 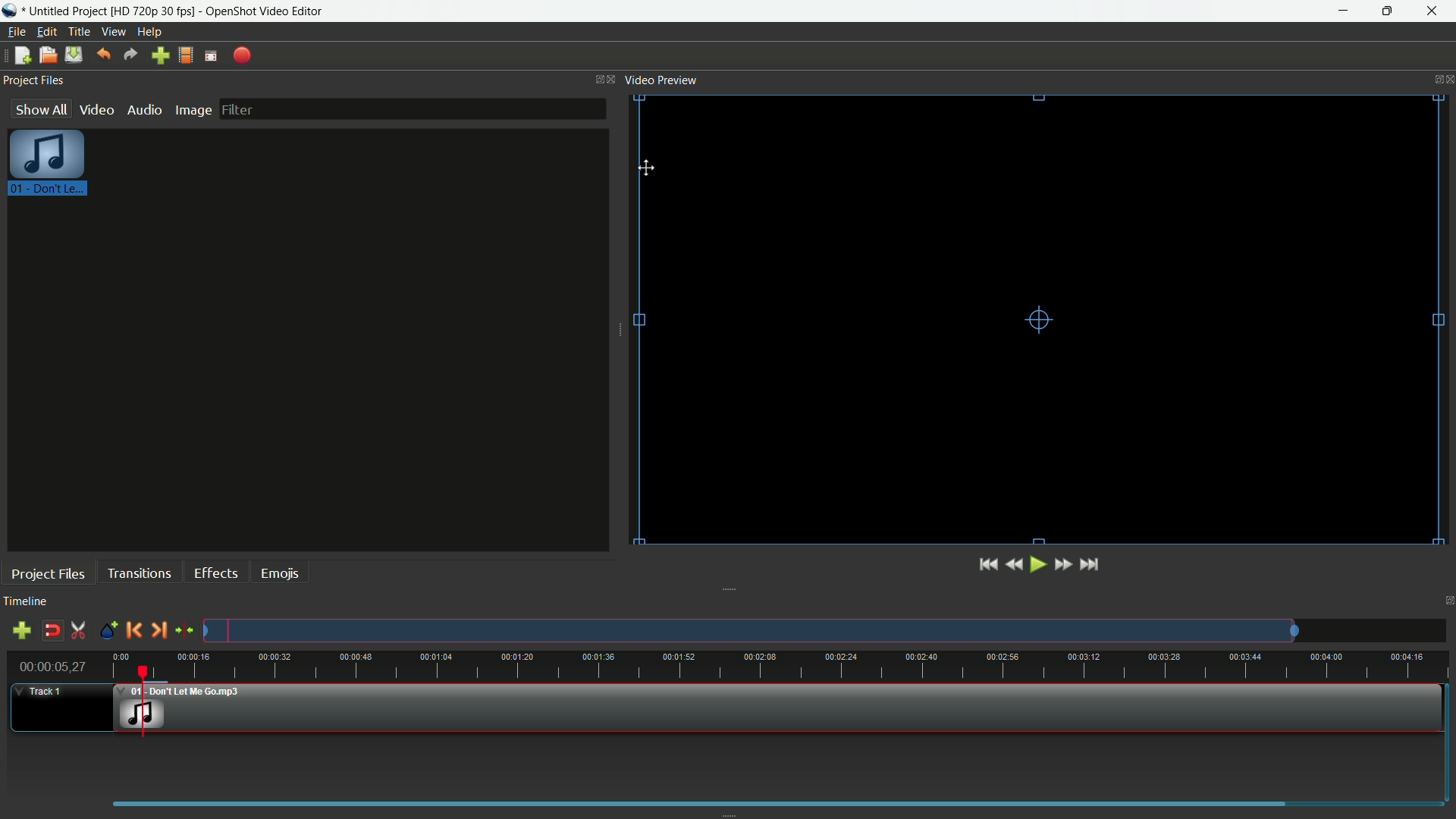 I want to click on project files, so click(x=47, y=573).